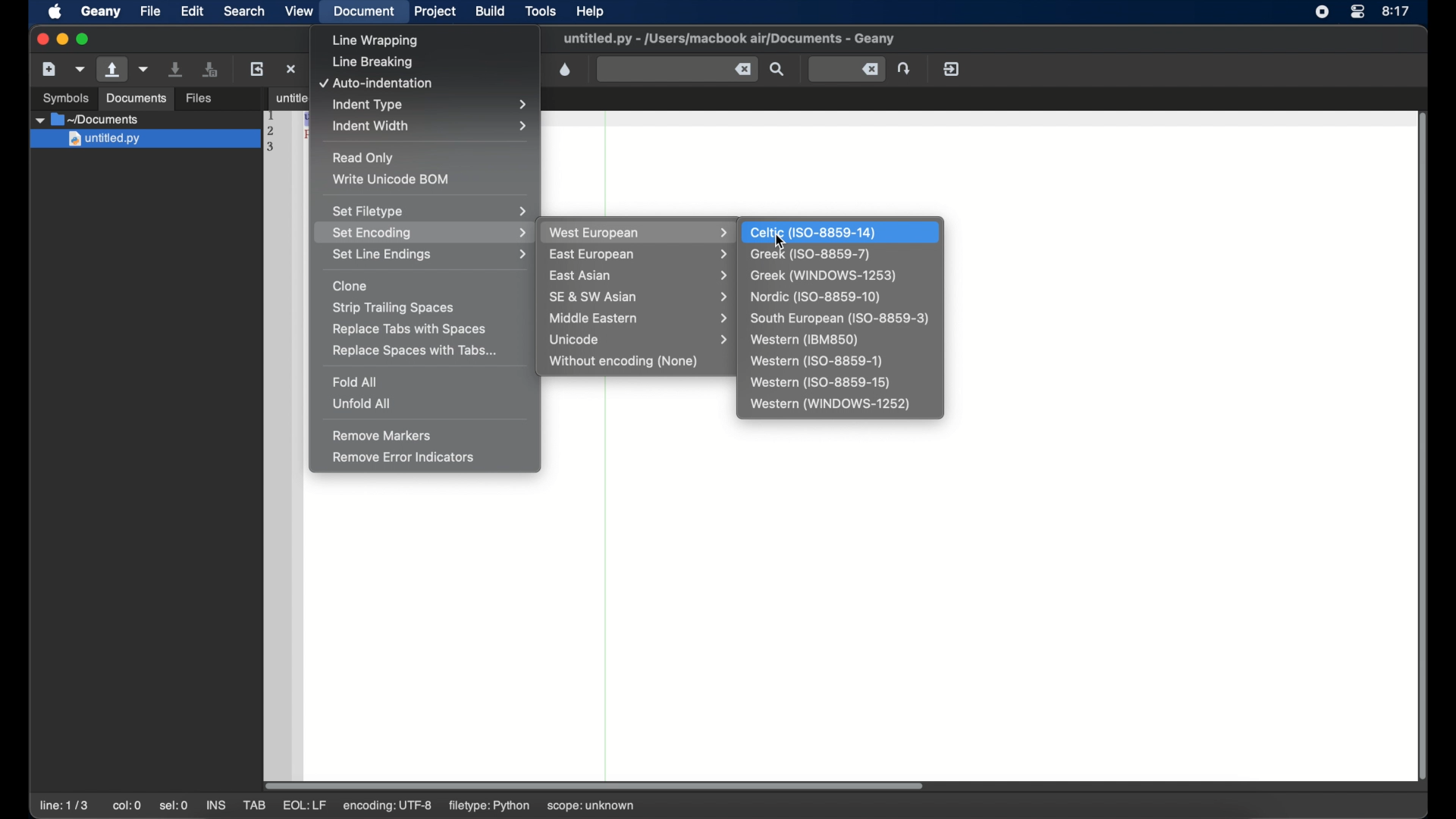 The image size is (1456, 819). I want to click on unfold all, so click(360, 403).